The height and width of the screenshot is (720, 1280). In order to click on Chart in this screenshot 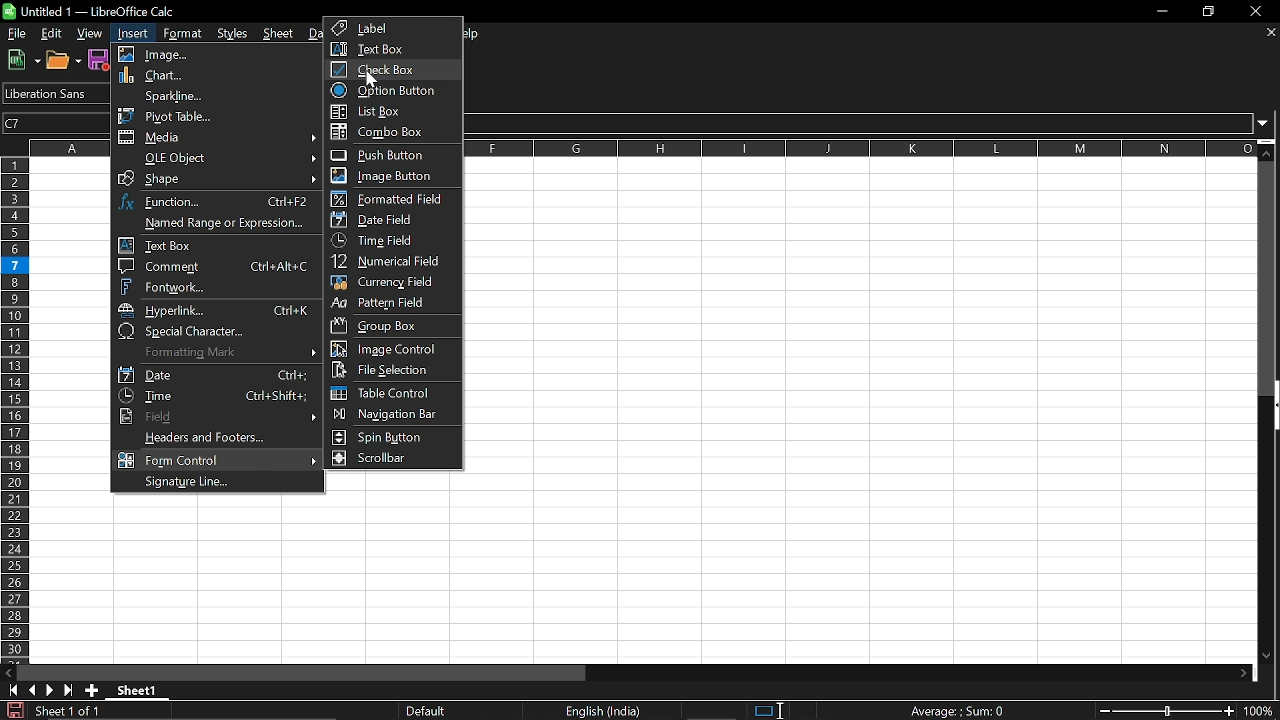, I will do `click(213, 76)`.